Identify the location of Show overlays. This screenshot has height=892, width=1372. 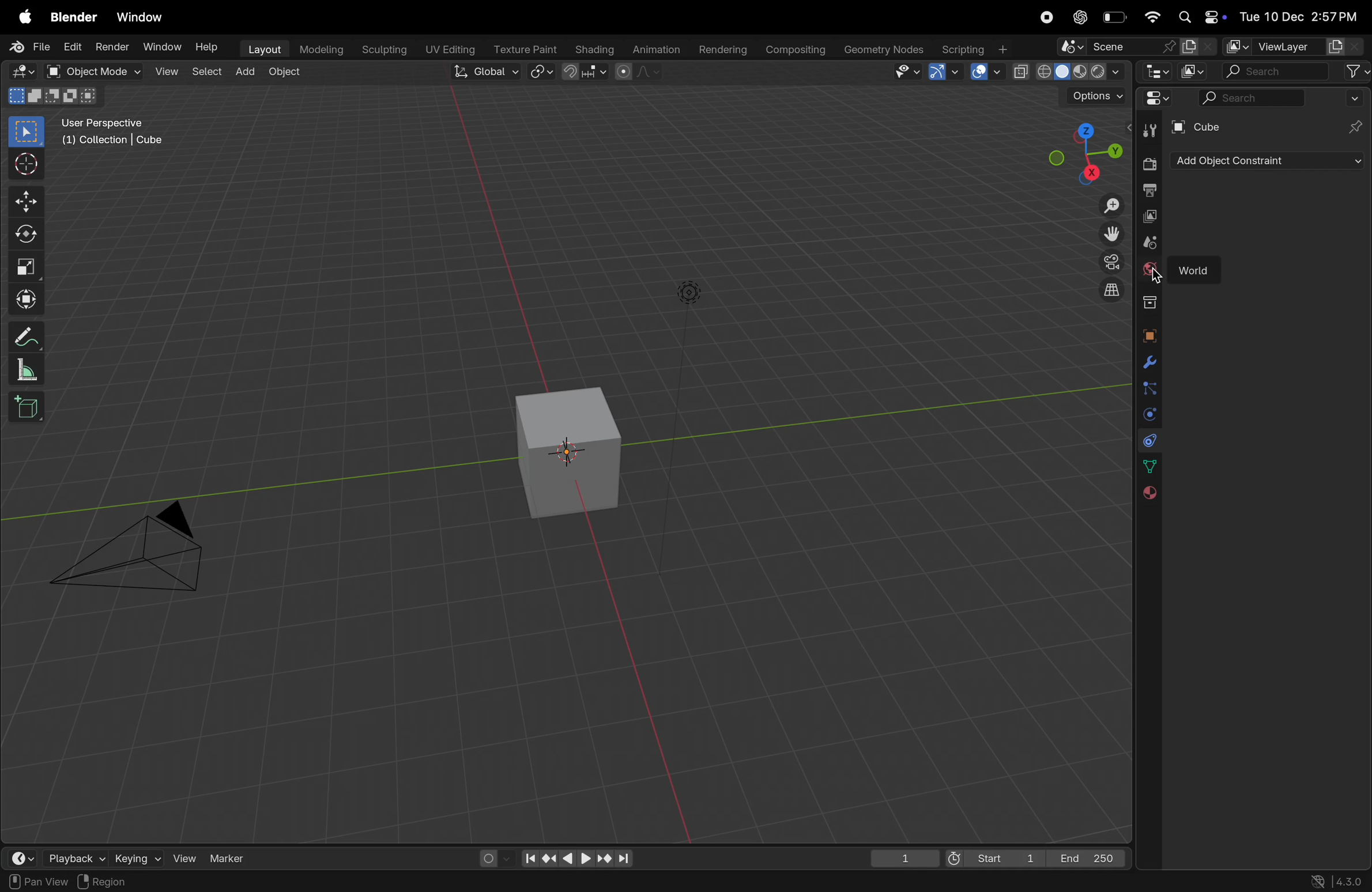
(984, 73).